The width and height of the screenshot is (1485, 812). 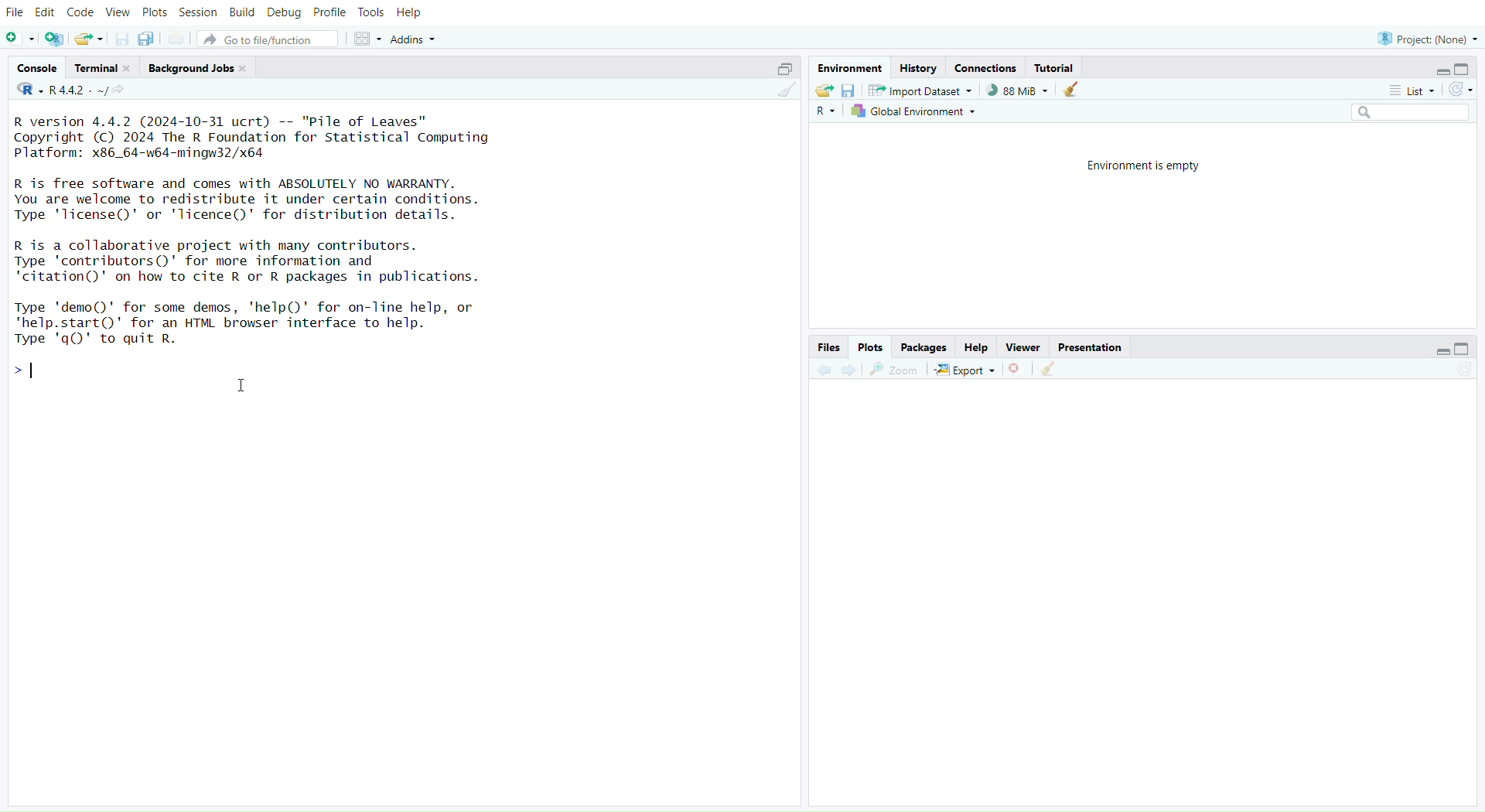 What do you see at coordinates (199, 12) in the screenshot?
I see `sessions` at bounding box center [199, 12].